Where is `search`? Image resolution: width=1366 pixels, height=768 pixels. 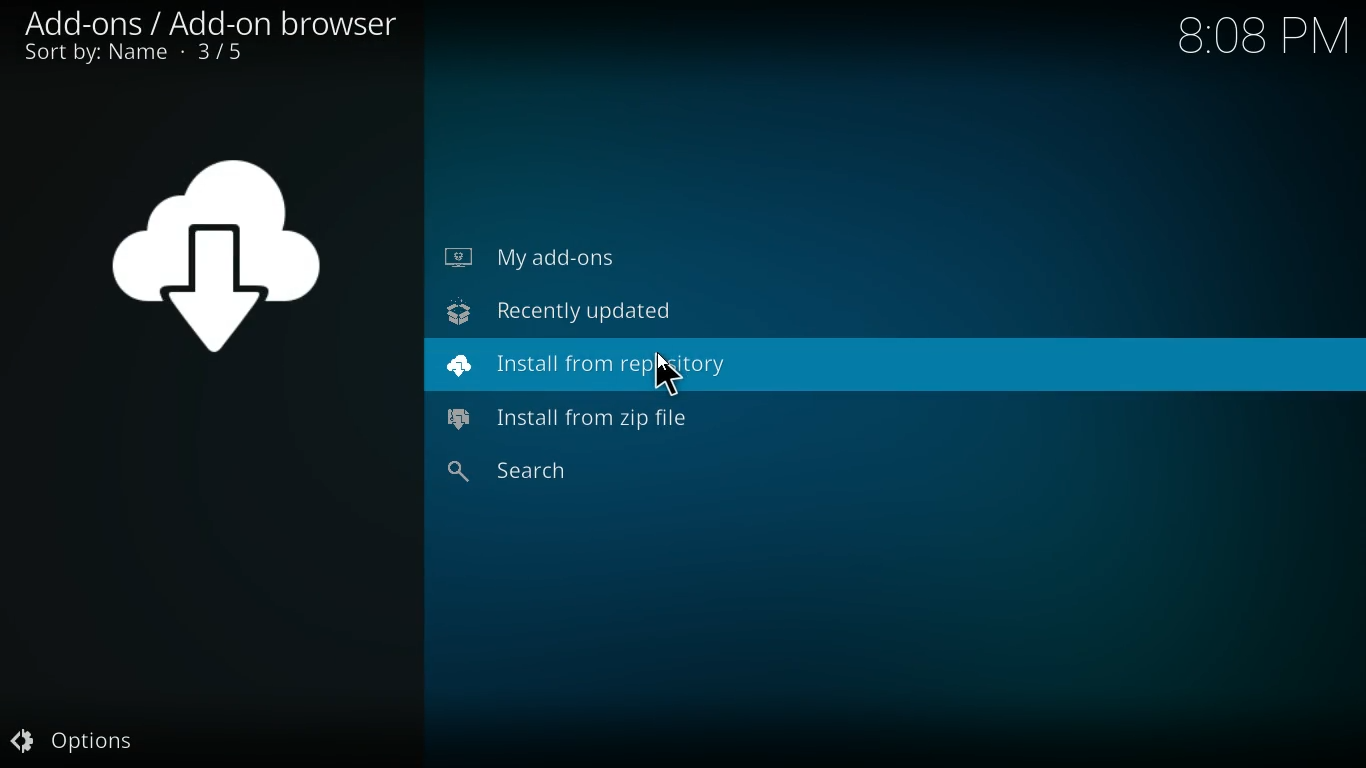
search is located at coordinates (534, 475).